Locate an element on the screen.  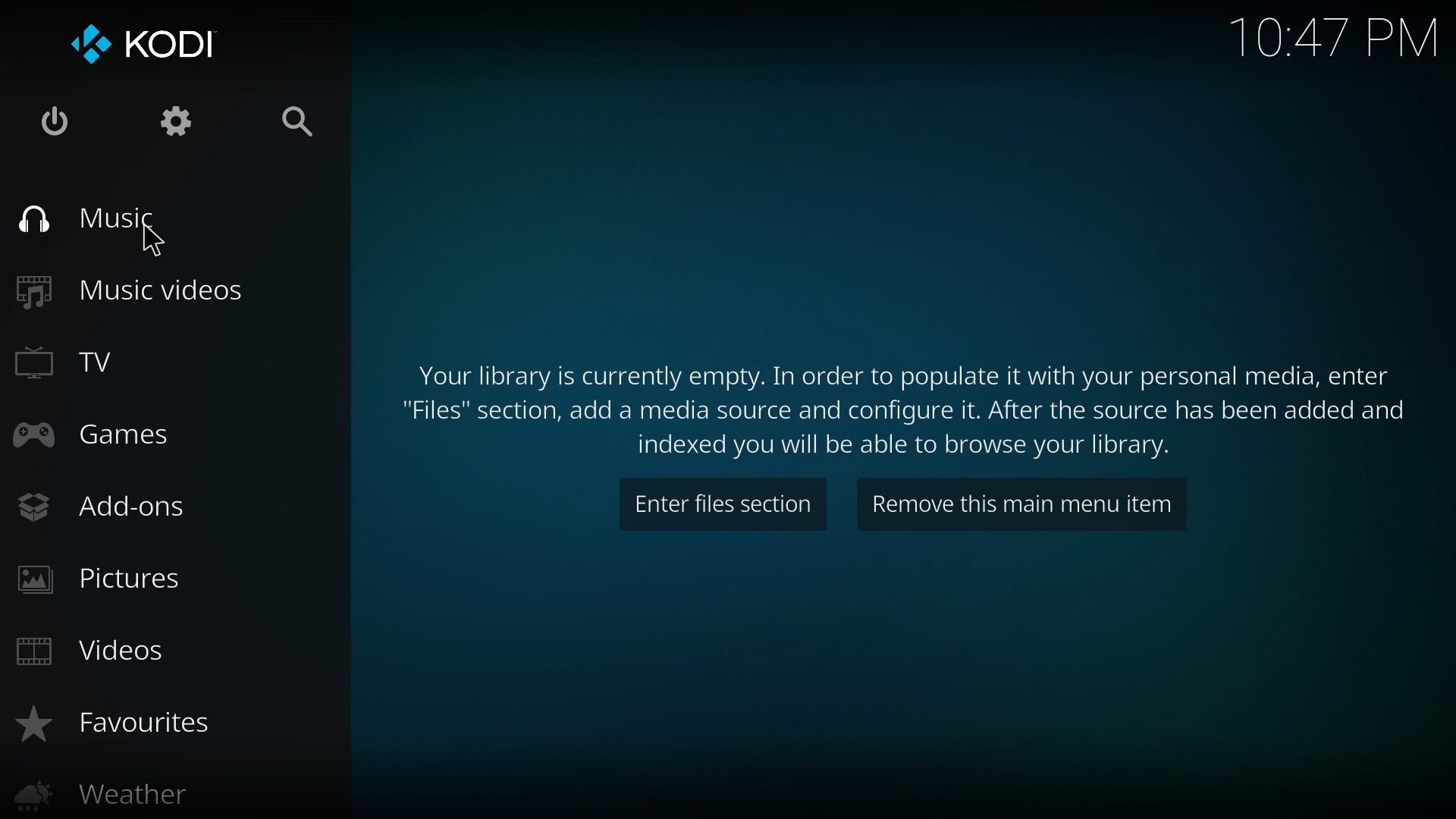
Time is located at coordinates (1335, 37).